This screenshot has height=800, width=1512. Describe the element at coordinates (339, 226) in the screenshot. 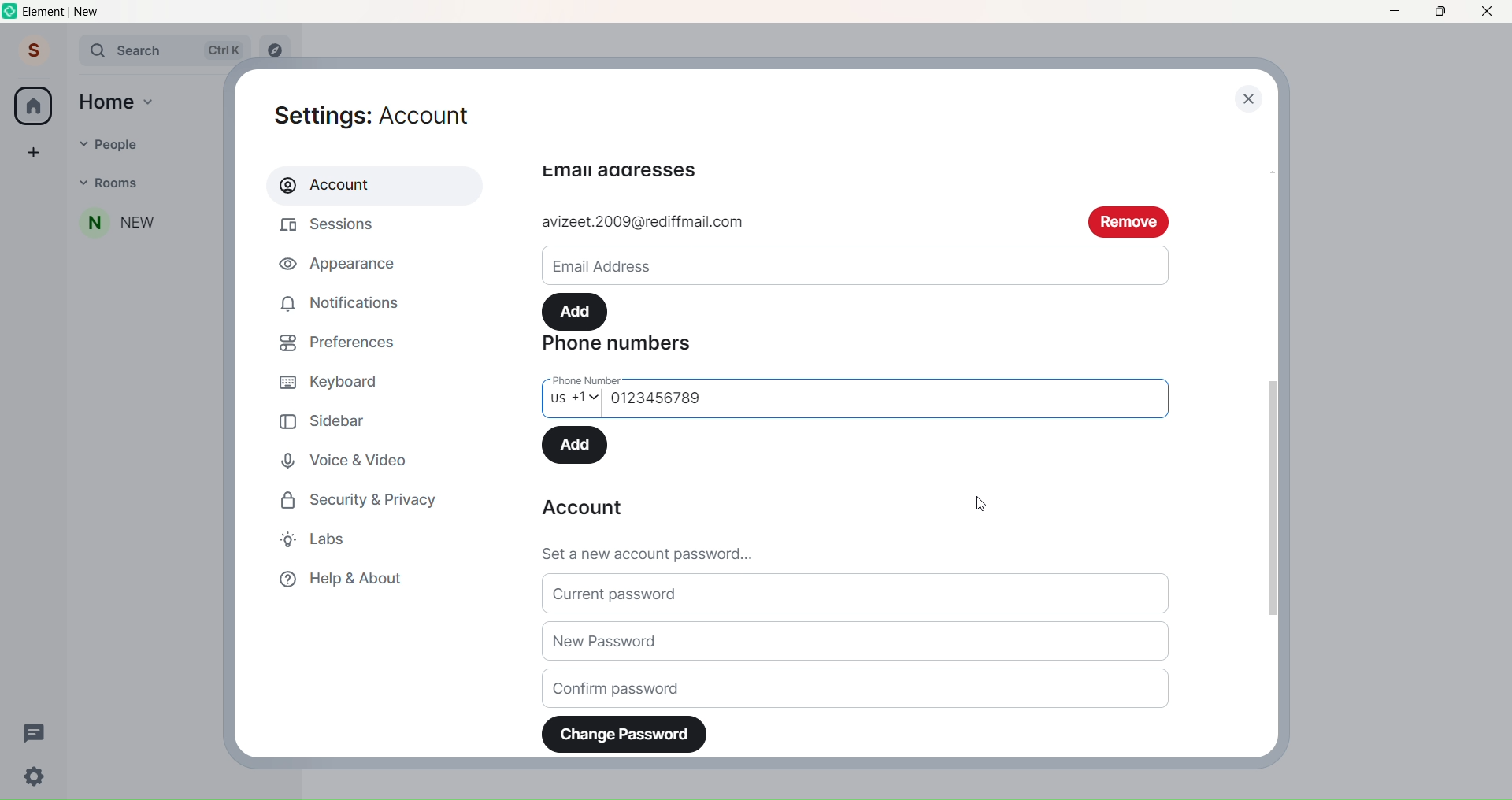

I see `Sessions` at that location.